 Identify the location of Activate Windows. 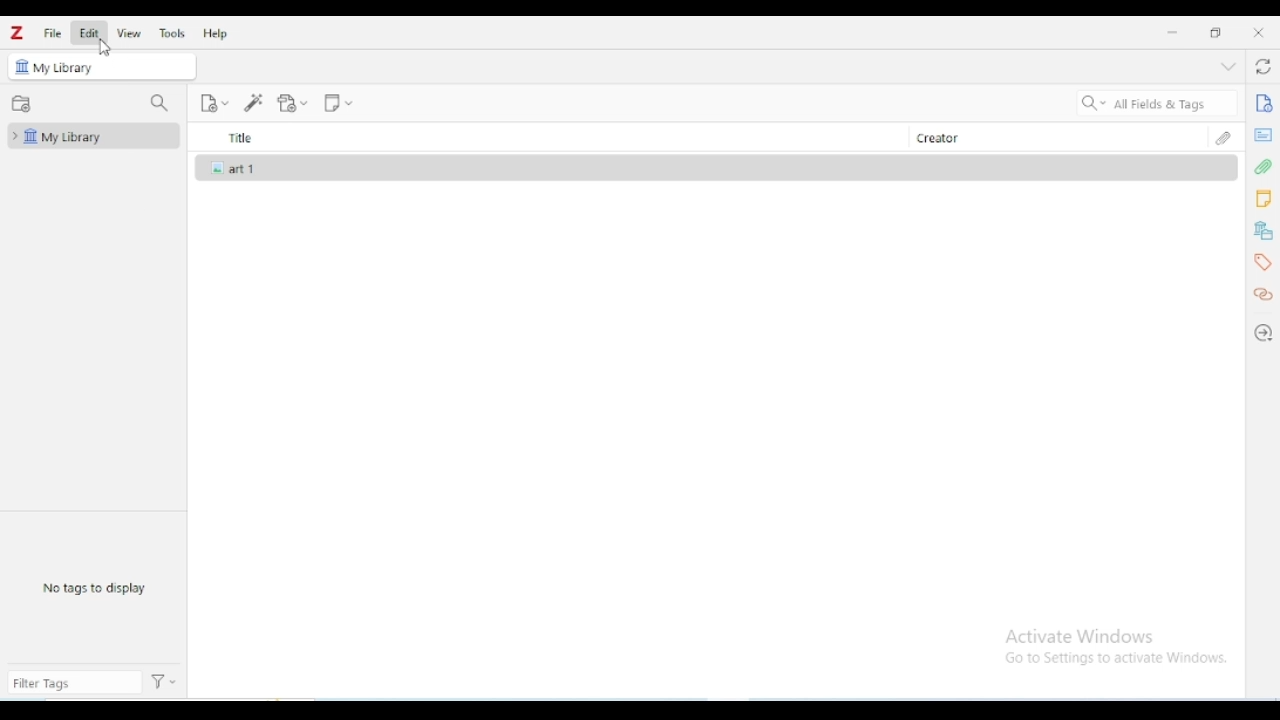
(1085, 635).